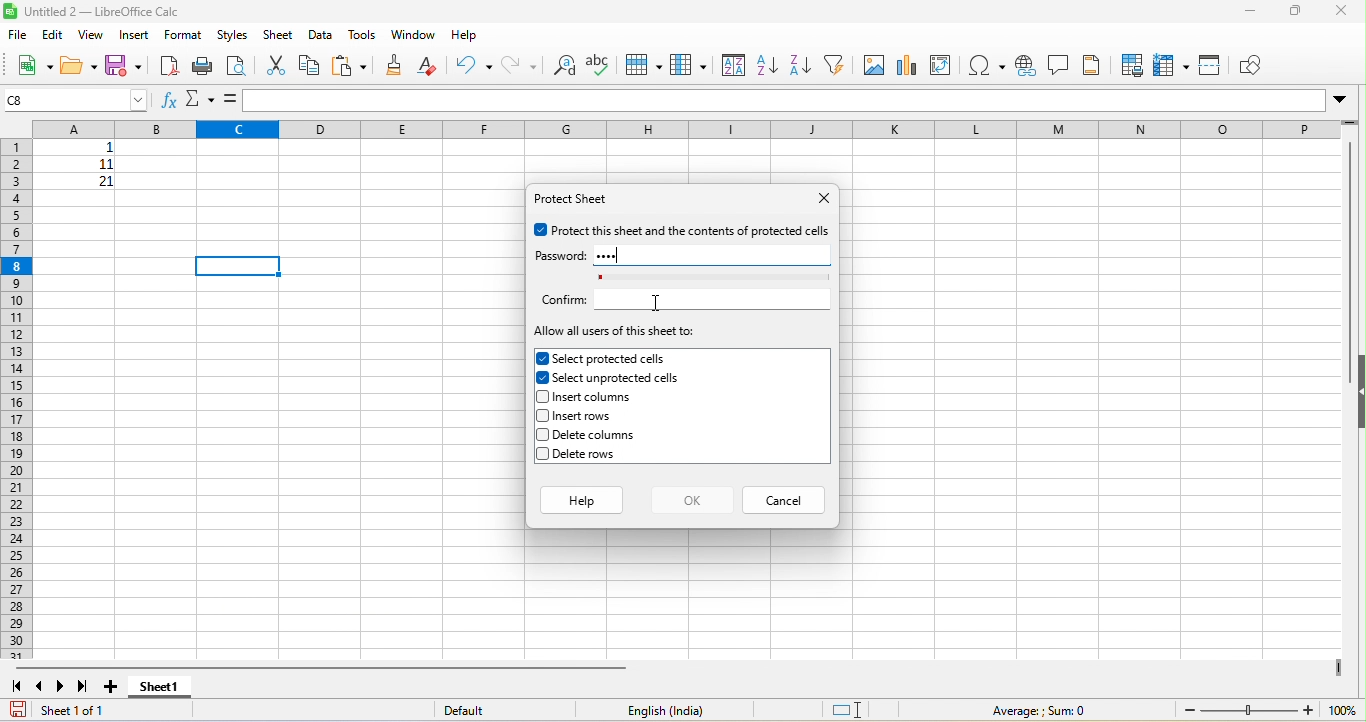  Describe the element at coordinates (907, 65) in the screenshot. I see `chart` at that location.